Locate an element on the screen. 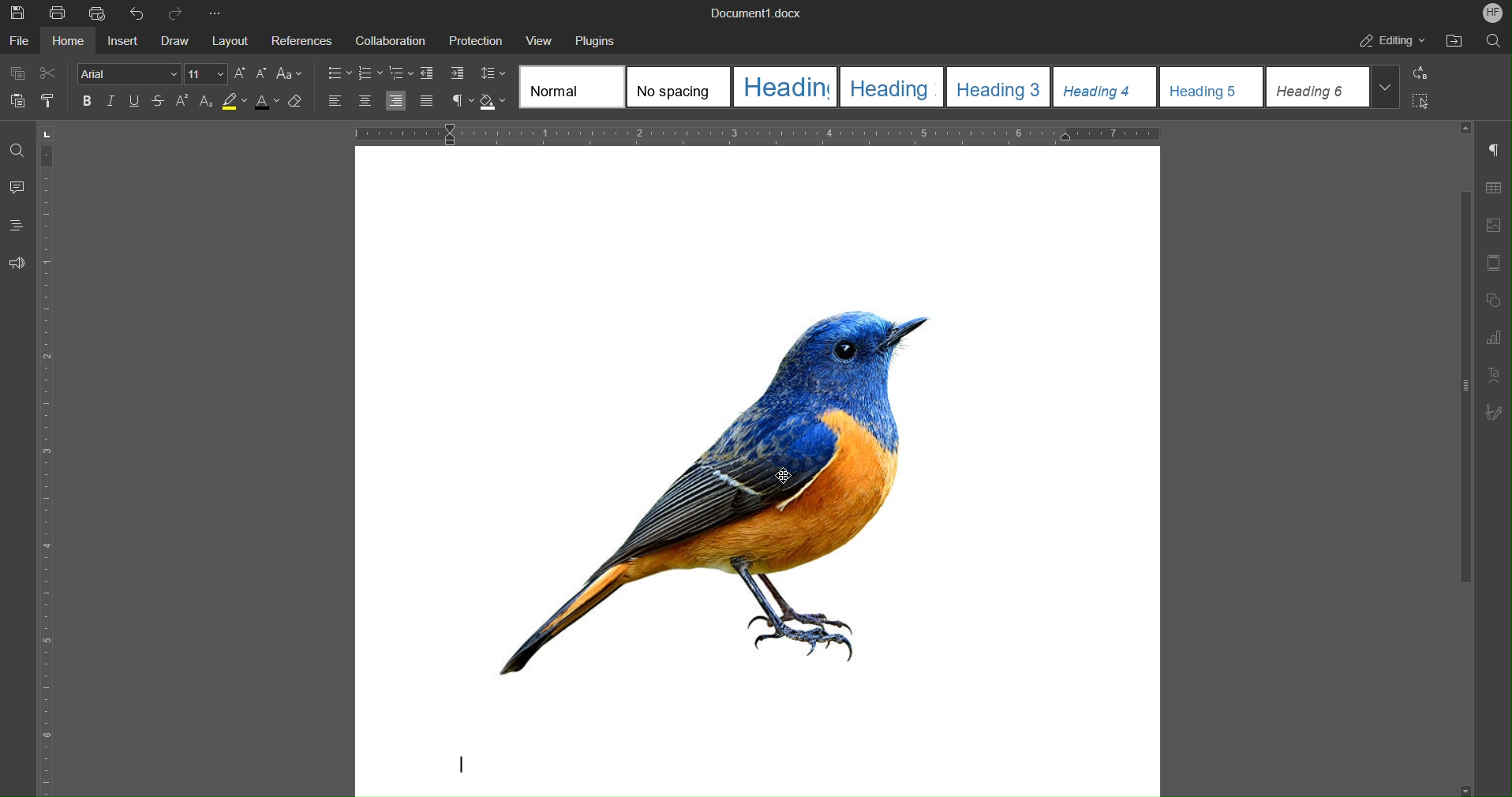 The width and height of the screenshot is (1512, 797). Plugins is located at coordinates (592, 38).